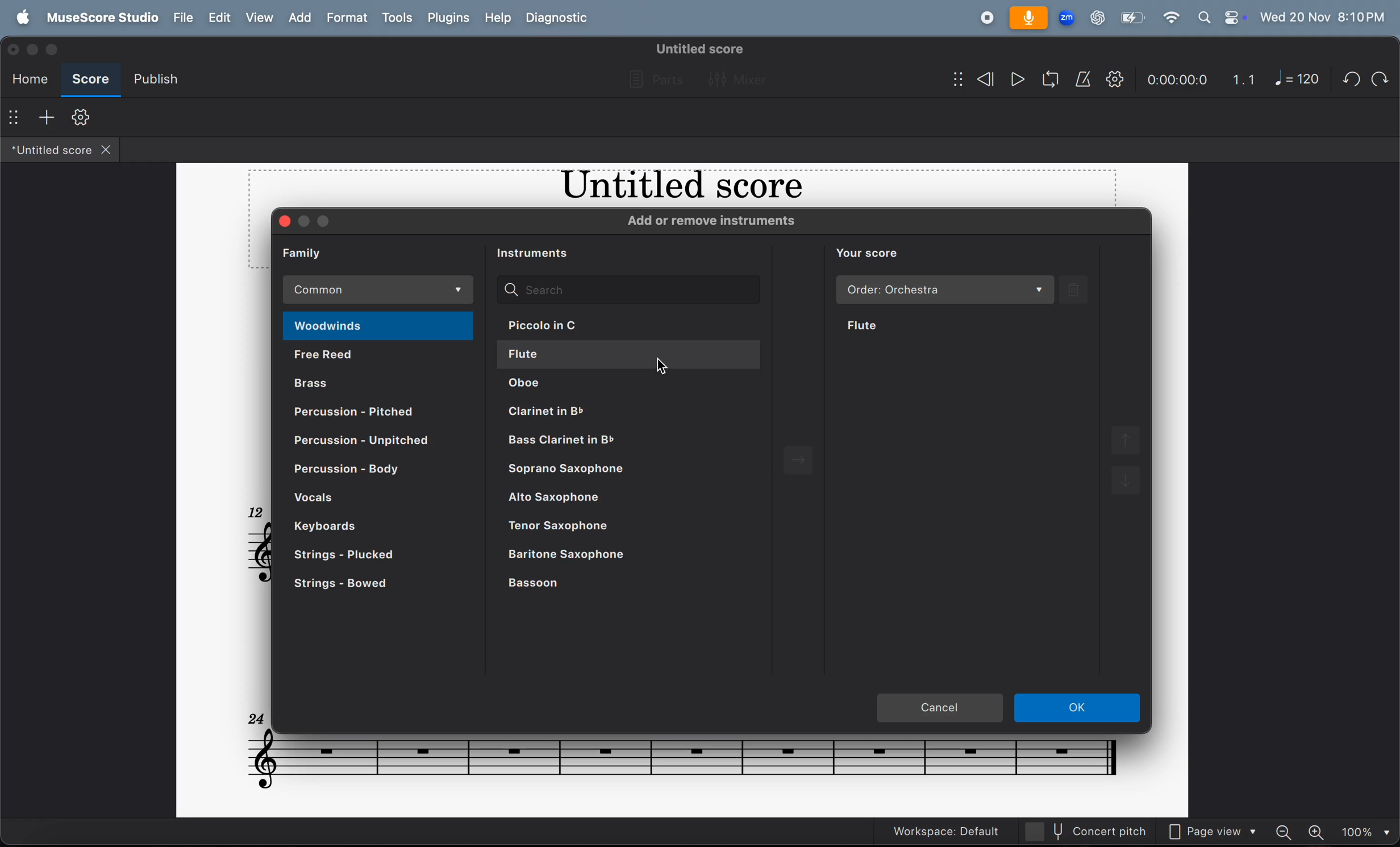 This screenshot has width=1400, height=847. What do you see at coordinates (299, 18) in the screenshot?
I see `add` at bounding box center [299, 18].